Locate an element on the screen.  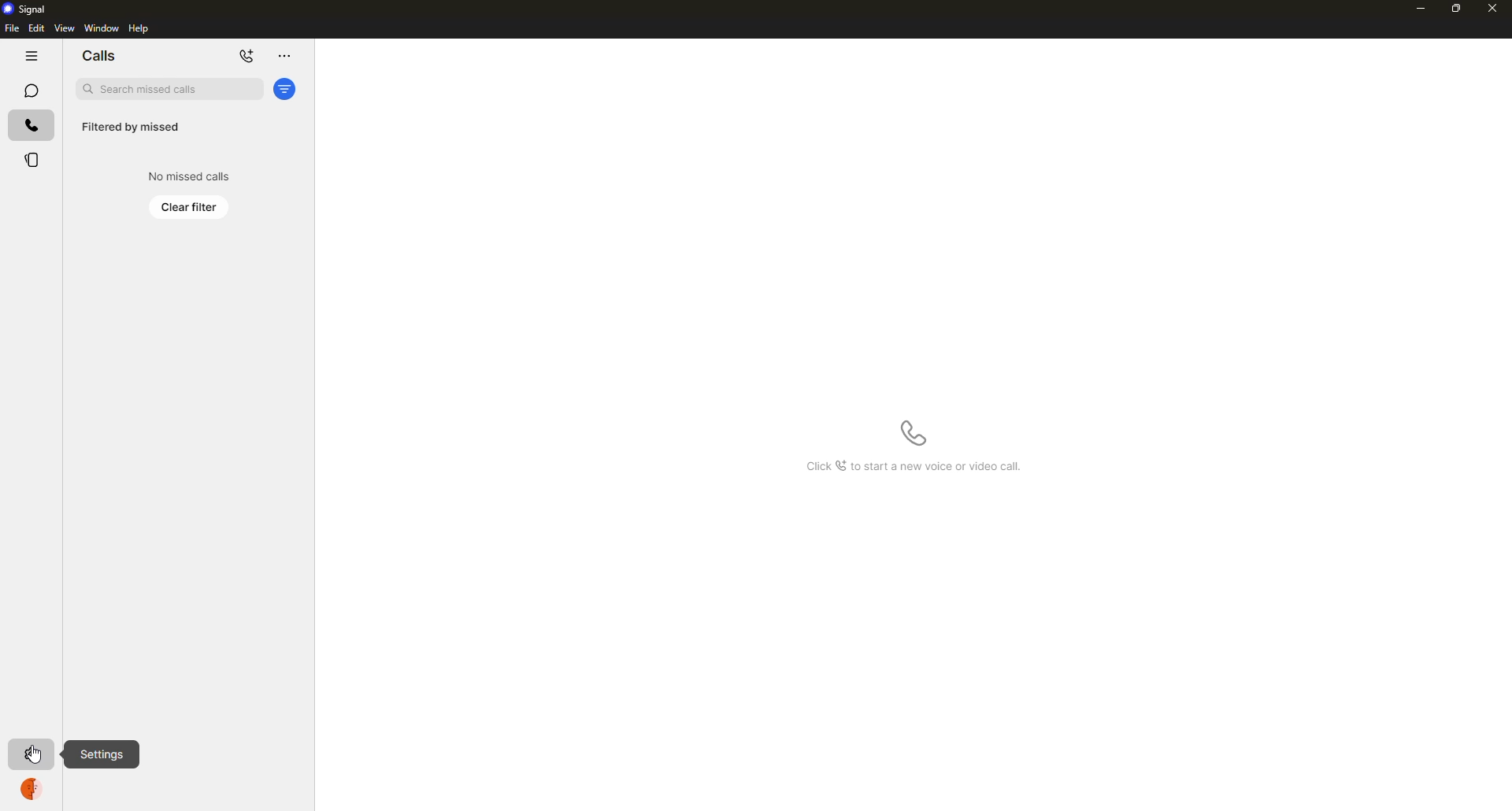
add call is located at coordinates (247, 57).